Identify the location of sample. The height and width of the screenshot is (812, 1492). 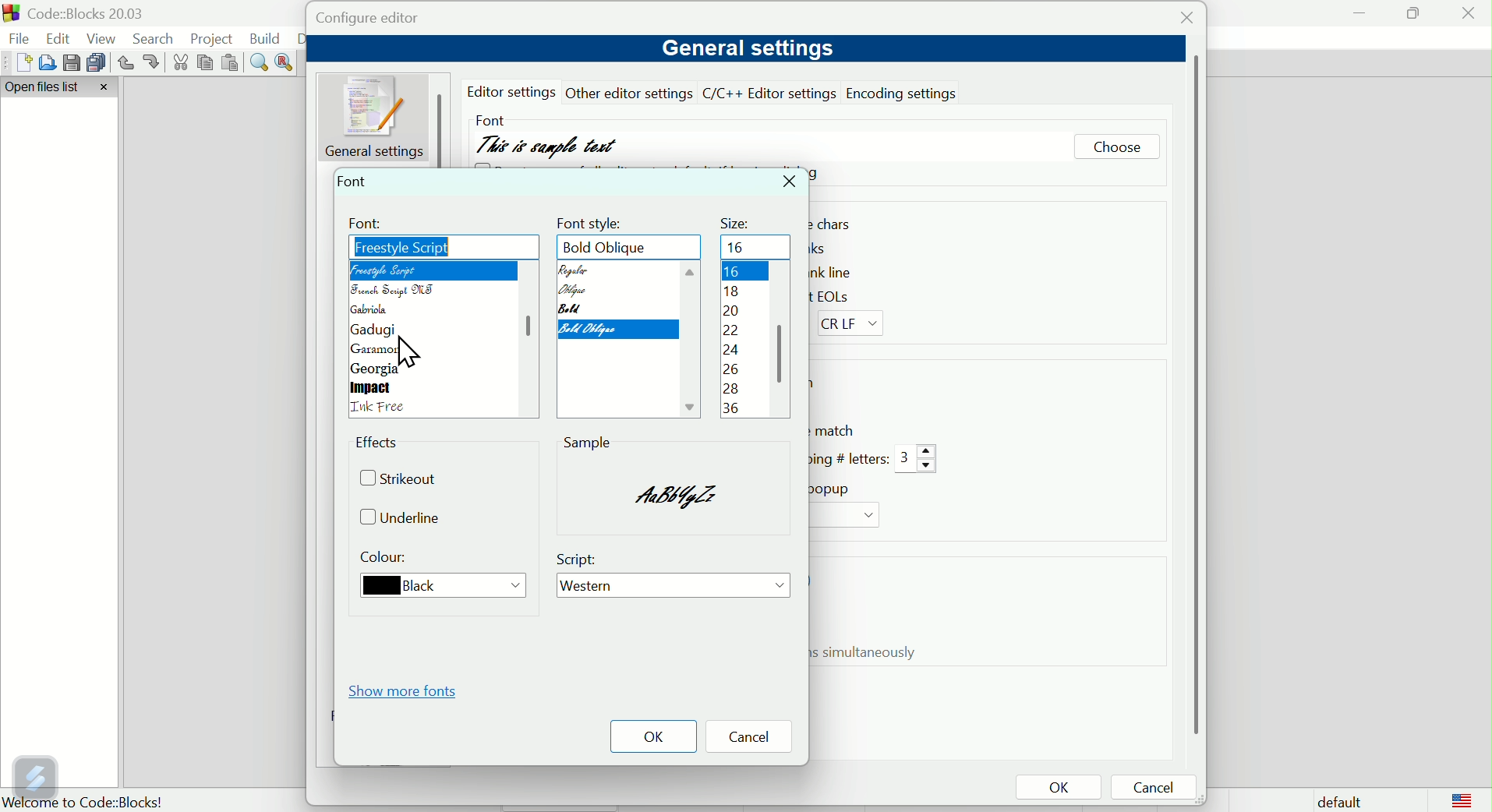
(588, 442).